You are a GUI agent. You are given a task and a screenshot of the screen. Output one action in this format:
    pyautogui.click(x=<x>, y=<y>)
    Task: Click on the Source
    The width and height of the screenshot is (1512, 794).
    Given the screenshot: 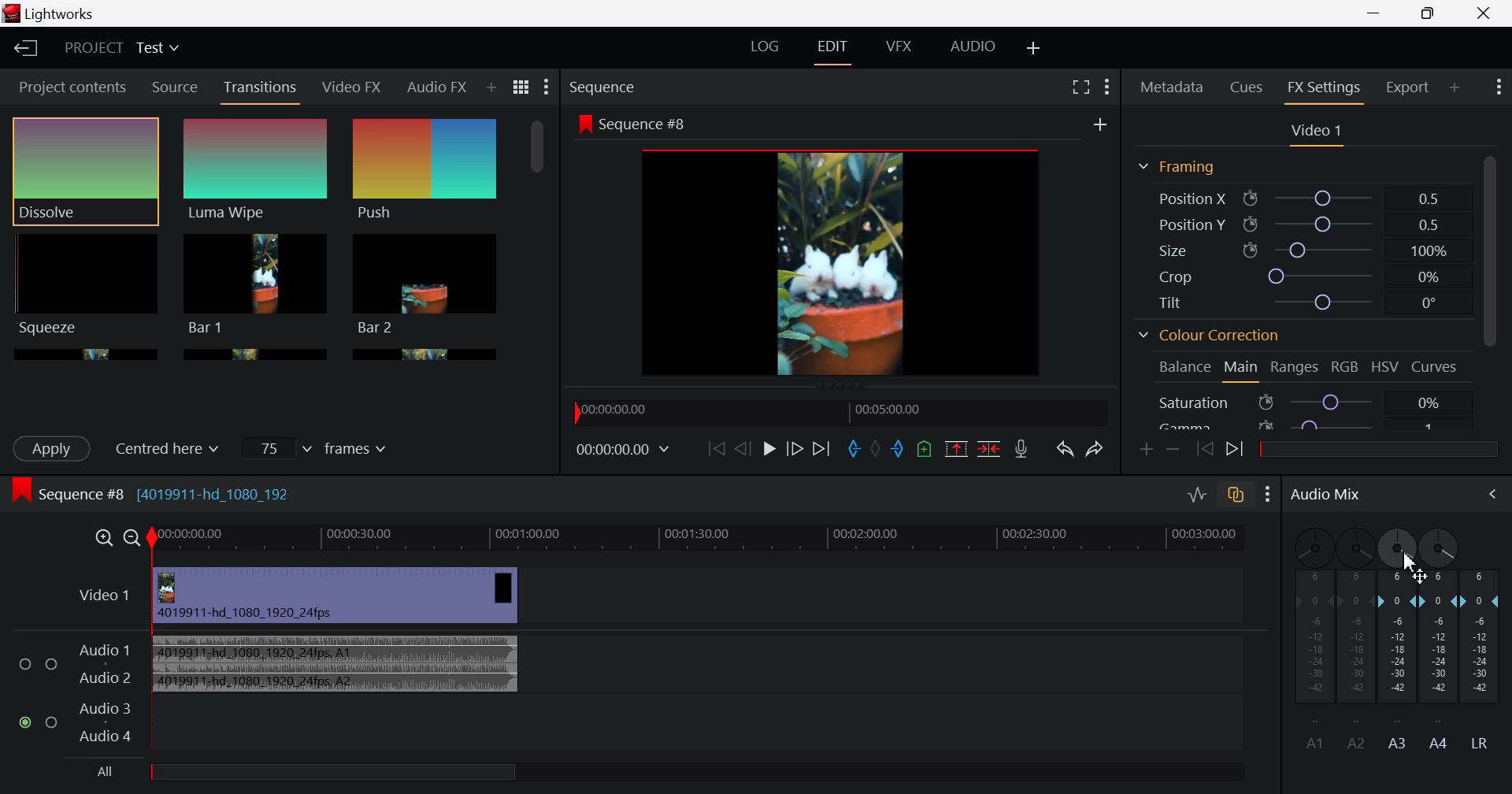 What is the action you would take?
    pyautogui.click(x=176, y=86)
    